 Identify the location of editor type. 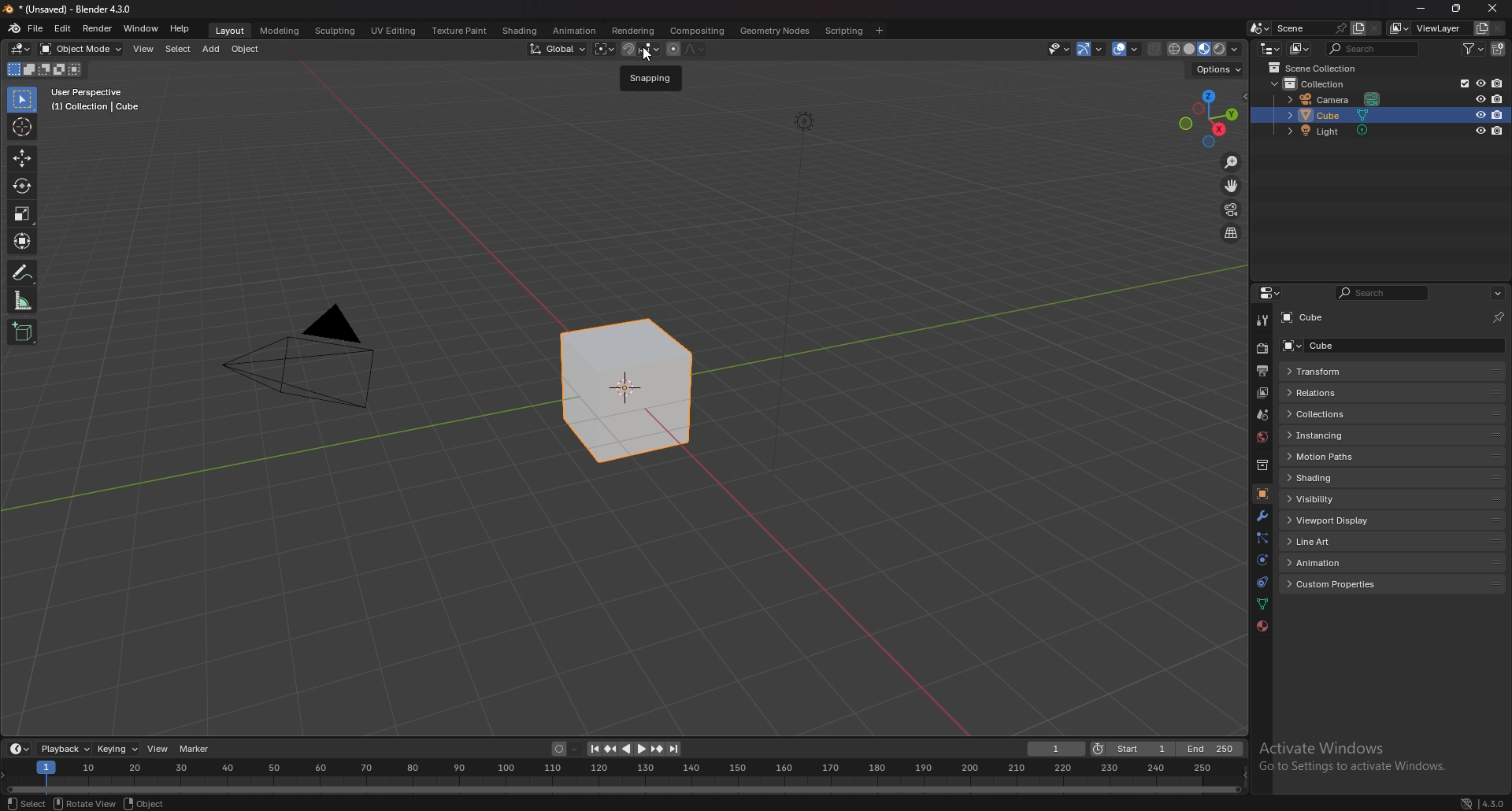
(1271, 293).